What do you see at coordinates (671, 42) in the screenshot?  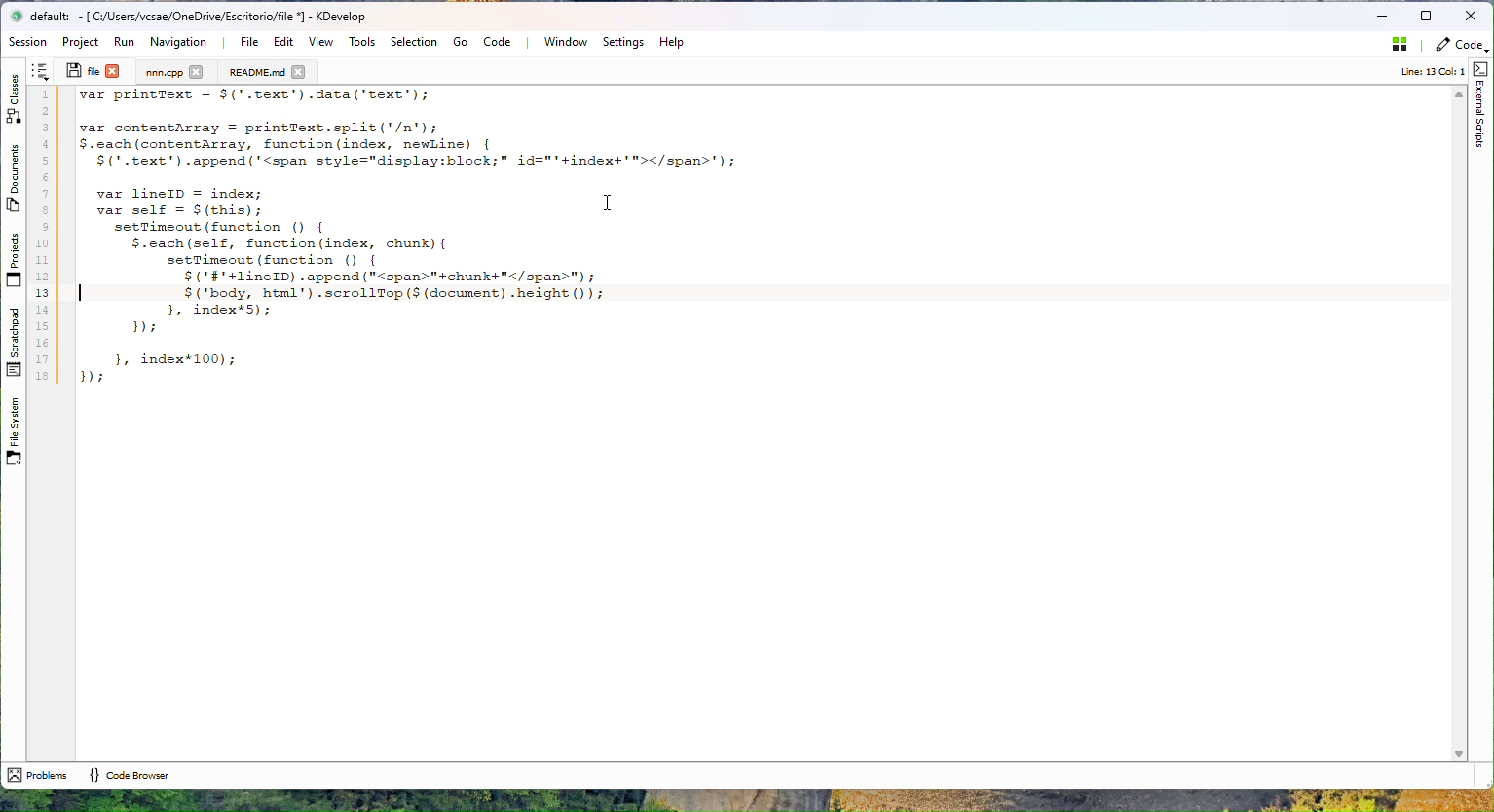 I see `Help` at bounding box center [671, 42].